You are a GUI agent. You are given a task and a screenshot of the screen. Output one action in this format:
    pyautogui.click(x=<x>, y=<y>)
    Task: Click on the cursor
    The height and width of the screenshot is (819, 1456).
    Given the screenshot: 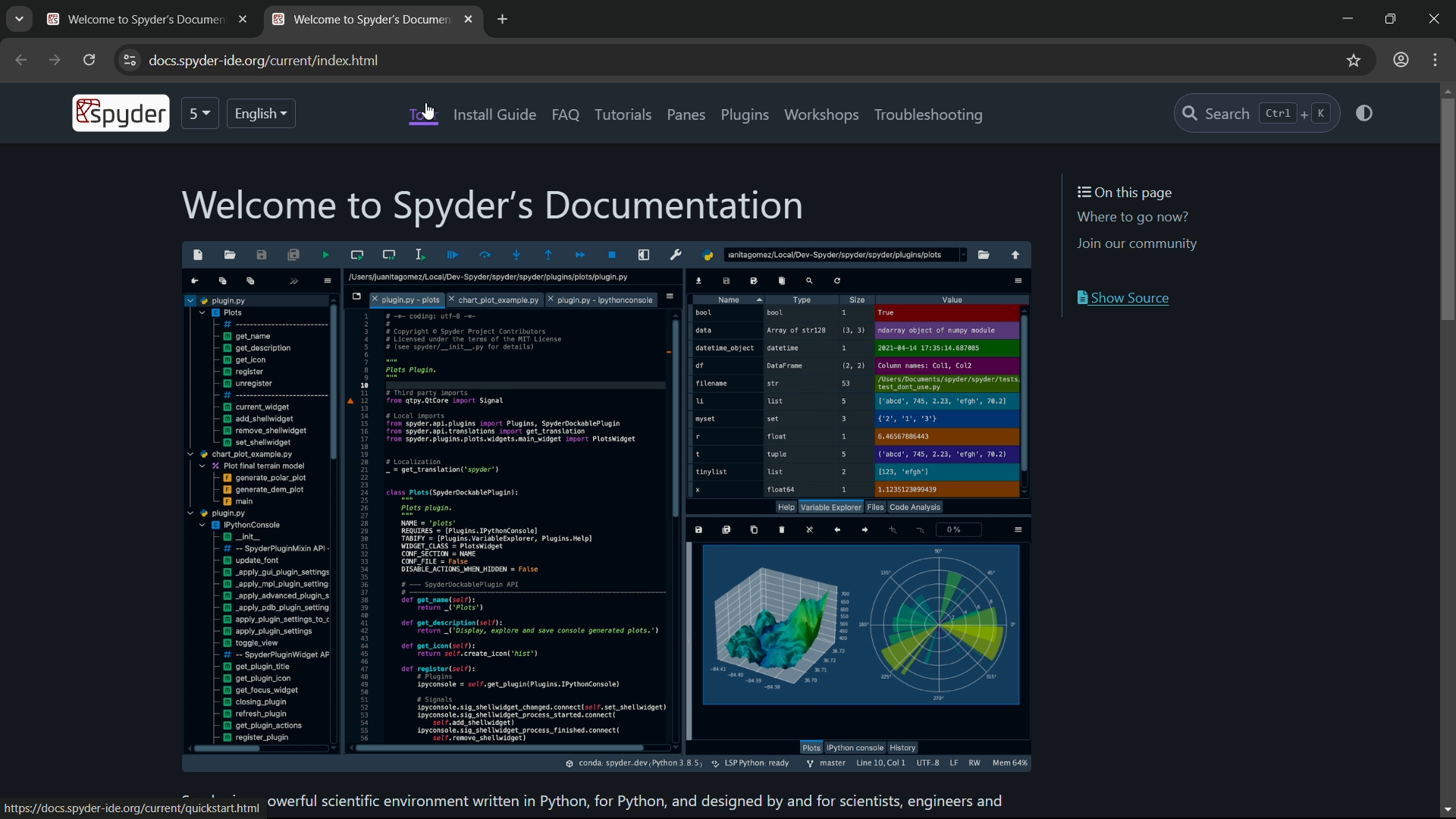 What is the action you would take?
    pyautogui.click(x=433, y=111)
    